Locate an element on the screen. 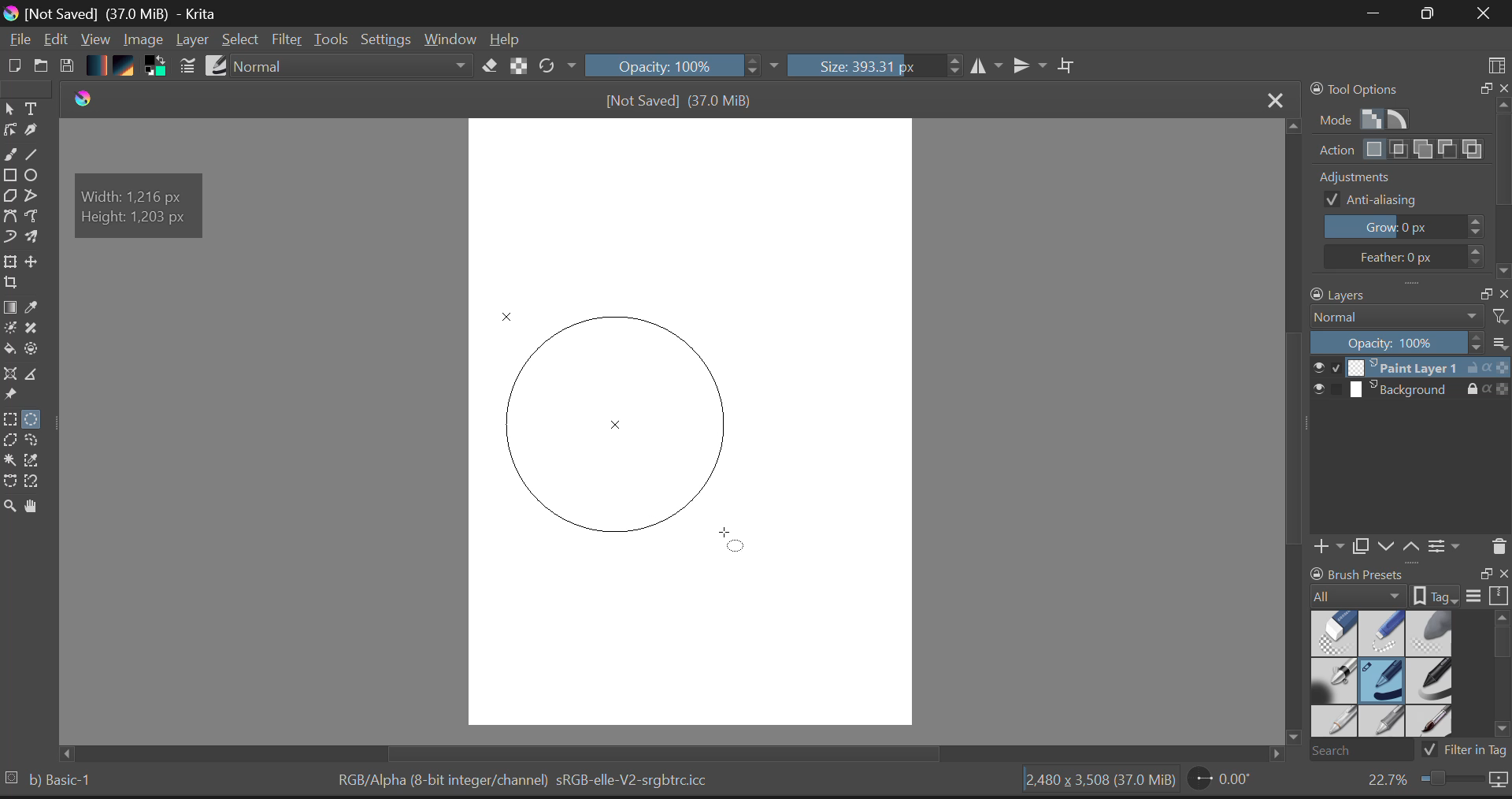 The width and height of the screenshot is (1512, 799). Multibrush Tool is located at coordinates (37, 238).